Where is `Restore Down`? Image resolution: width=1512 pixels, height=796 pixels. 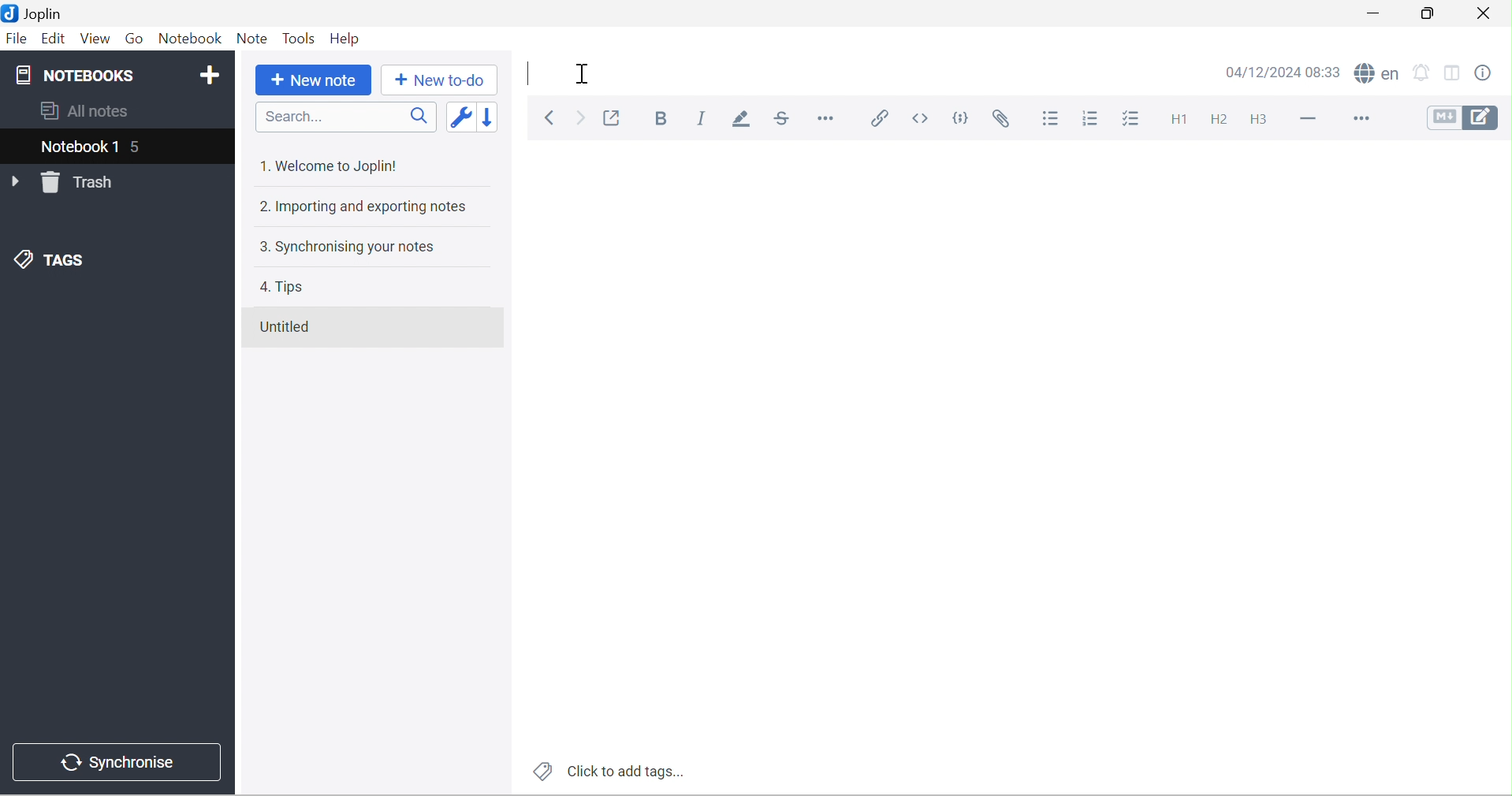
Restore Down is located at coordinates (1425, 13).